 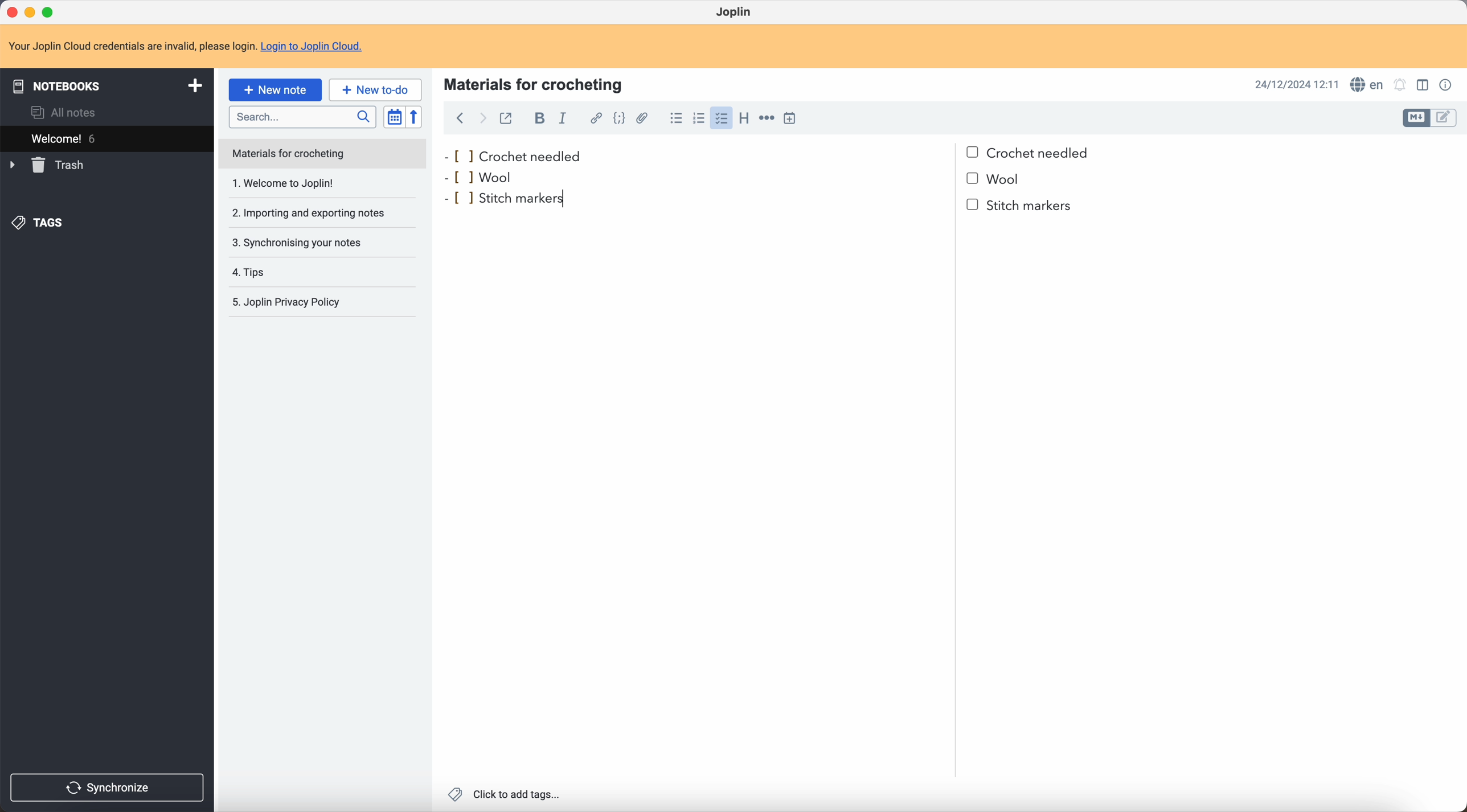 I want to click on tags, so click(x=40, y=224).